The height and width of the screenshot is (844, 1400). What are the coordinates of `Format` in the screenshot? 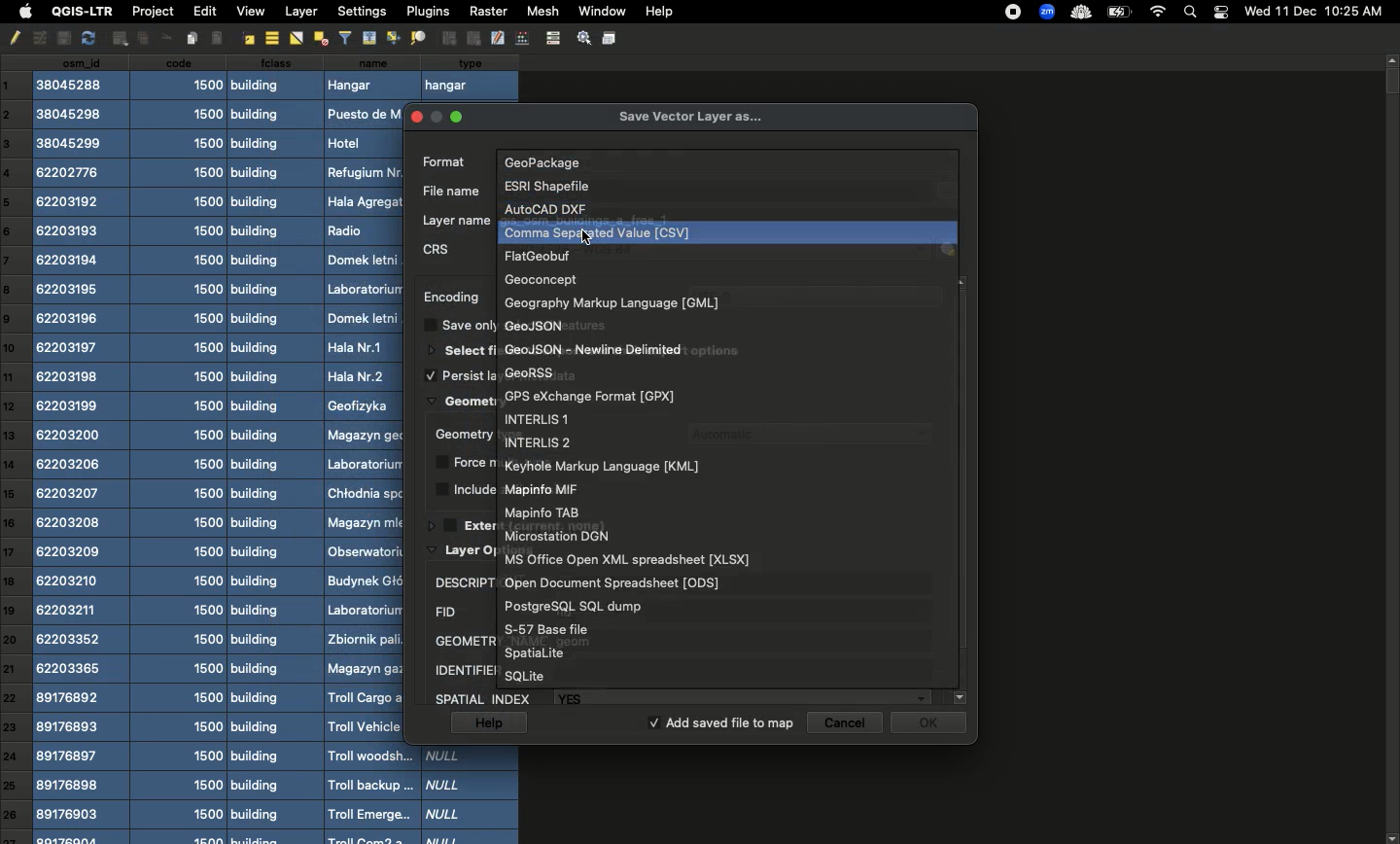 It's located at (548, 628).